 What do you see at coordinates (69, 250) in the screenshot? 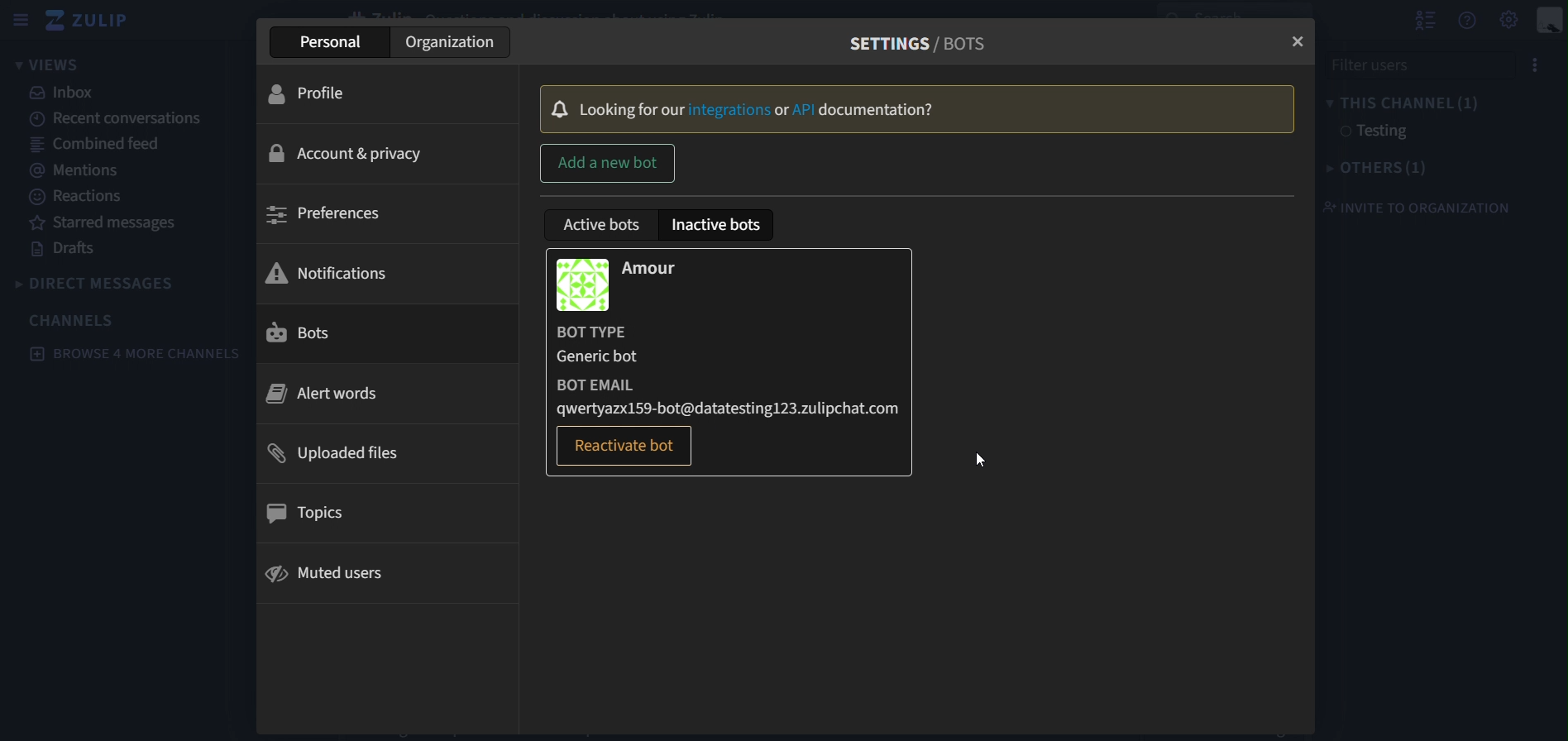
I see `drafts` at bounding box center [69, 250].